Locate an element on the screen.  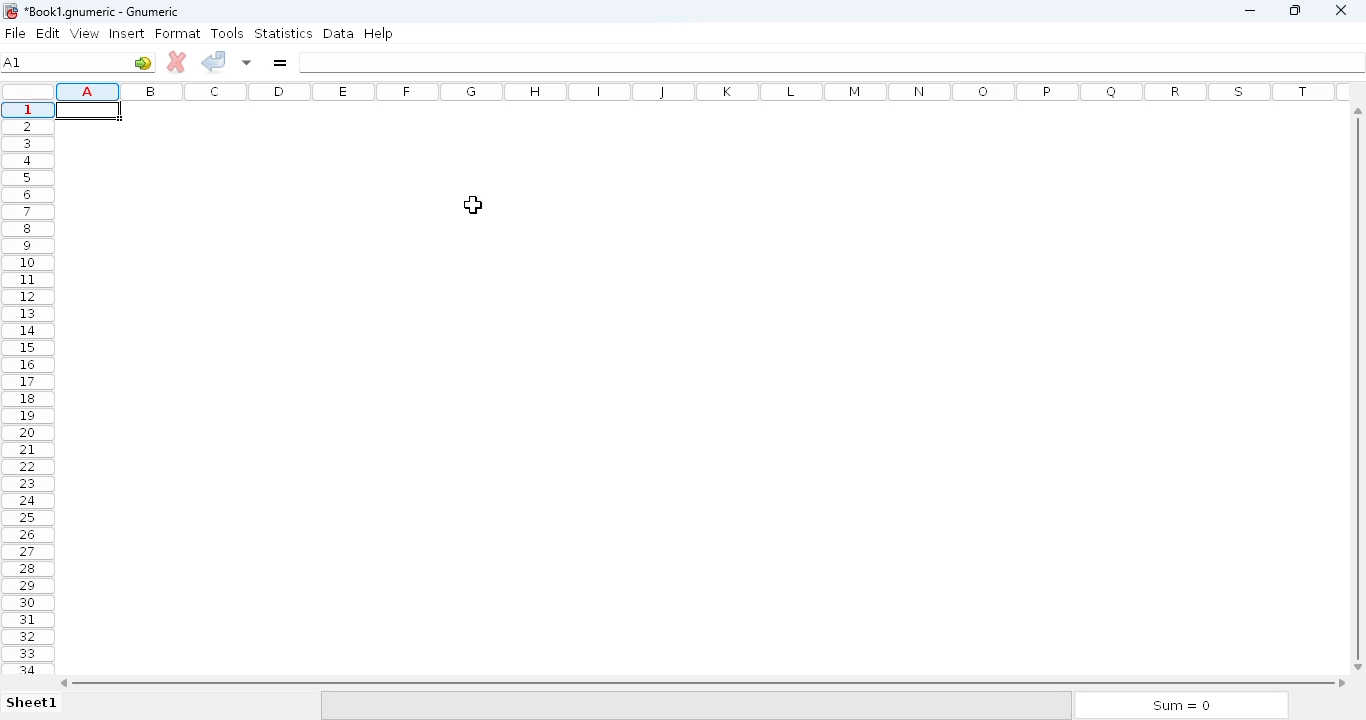
Sheet1 is located at coordinates (34, 704).